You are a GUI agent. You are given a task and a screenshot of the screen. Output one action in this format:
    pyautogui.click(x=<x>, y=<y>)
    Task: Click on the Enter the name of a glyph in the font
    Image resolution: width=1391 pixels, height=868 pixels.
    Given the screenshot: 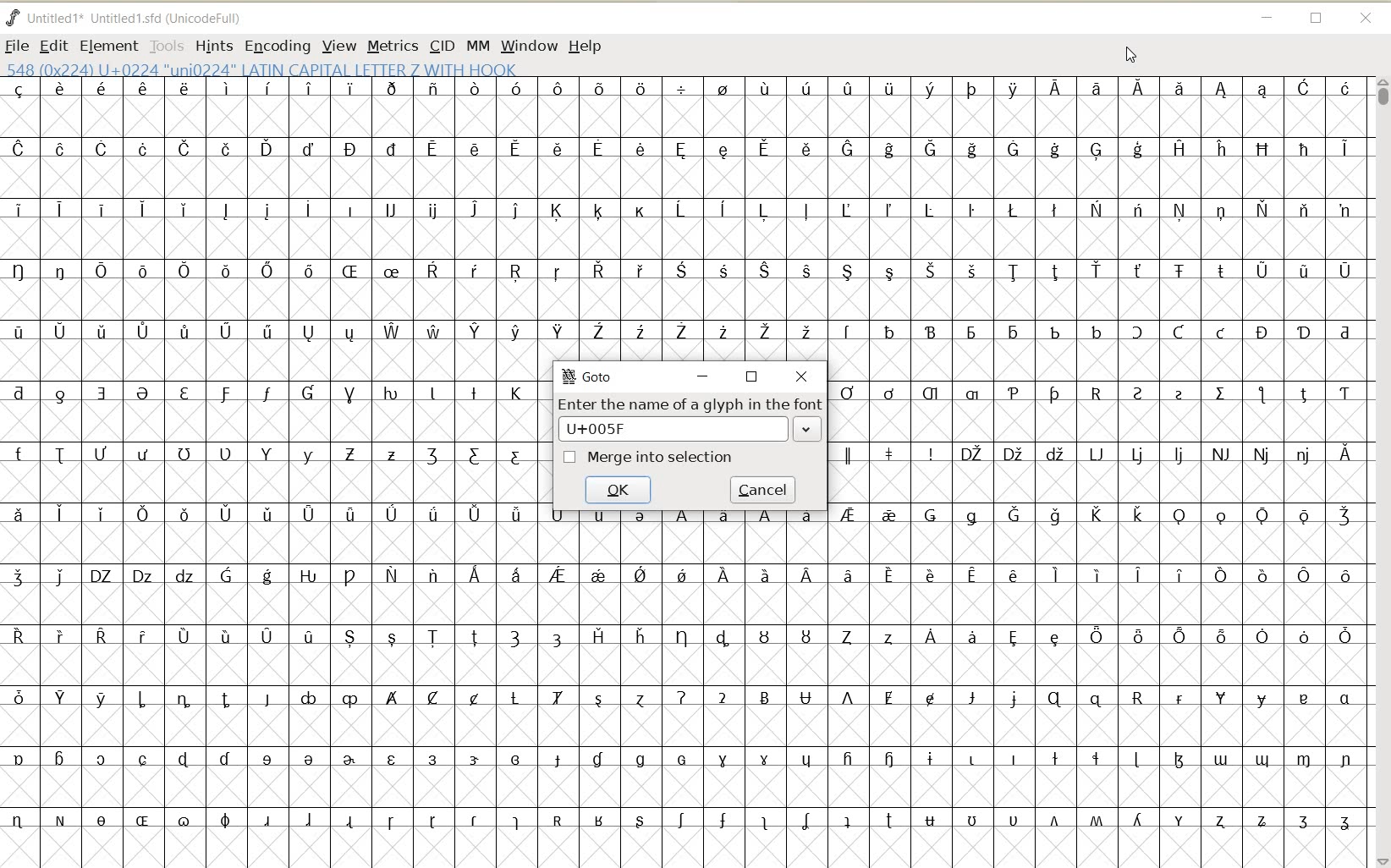 What is the action you would take?
    pyautogui.click(x=691, y=406)
    